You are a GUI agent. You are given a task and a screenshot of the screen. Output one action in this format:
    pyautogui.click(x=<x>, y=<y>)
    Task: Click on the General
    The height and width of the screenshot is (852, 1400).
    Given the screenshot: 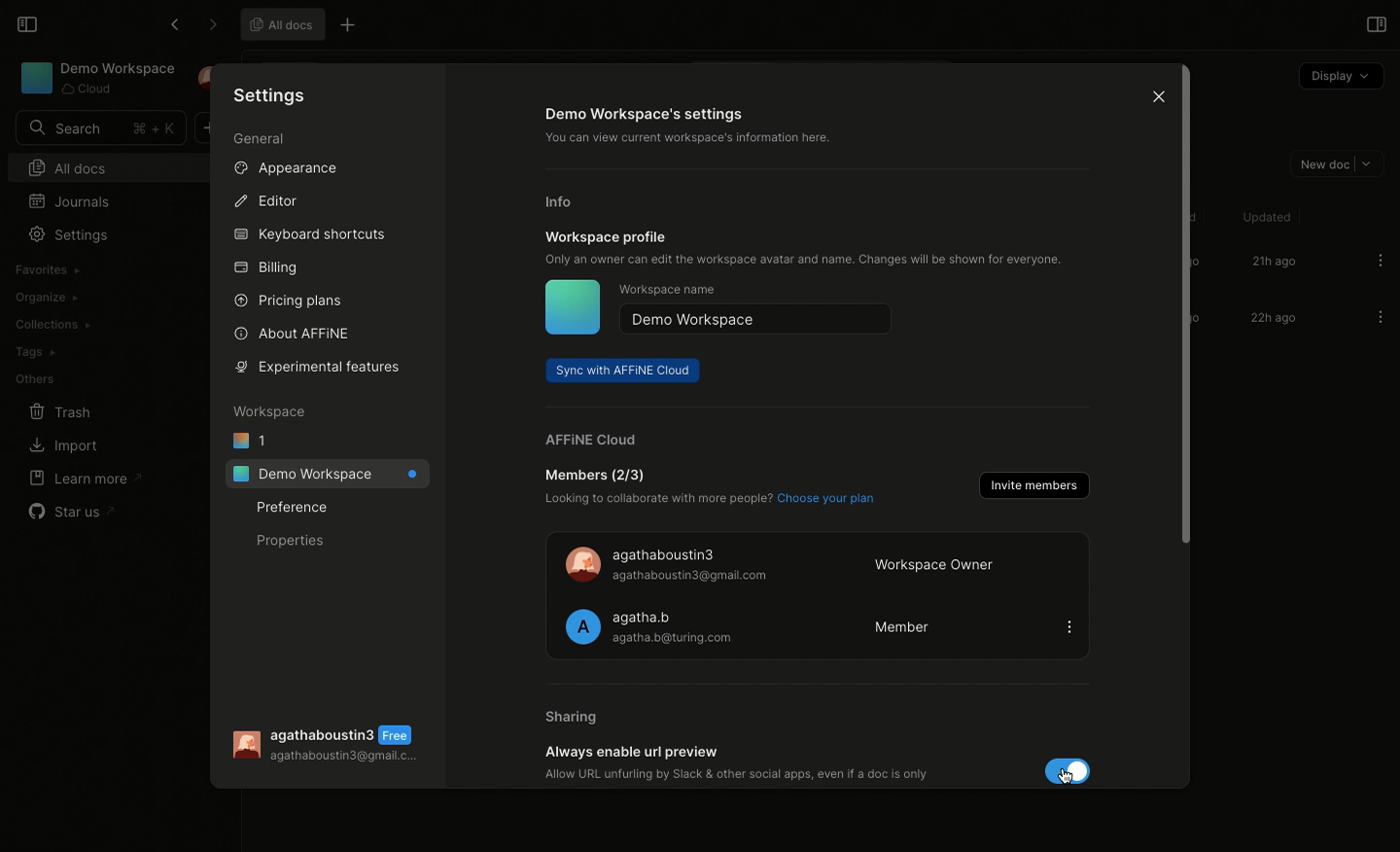 What is the action you would take?
    pyautogui.click(x=261, y=141)
    